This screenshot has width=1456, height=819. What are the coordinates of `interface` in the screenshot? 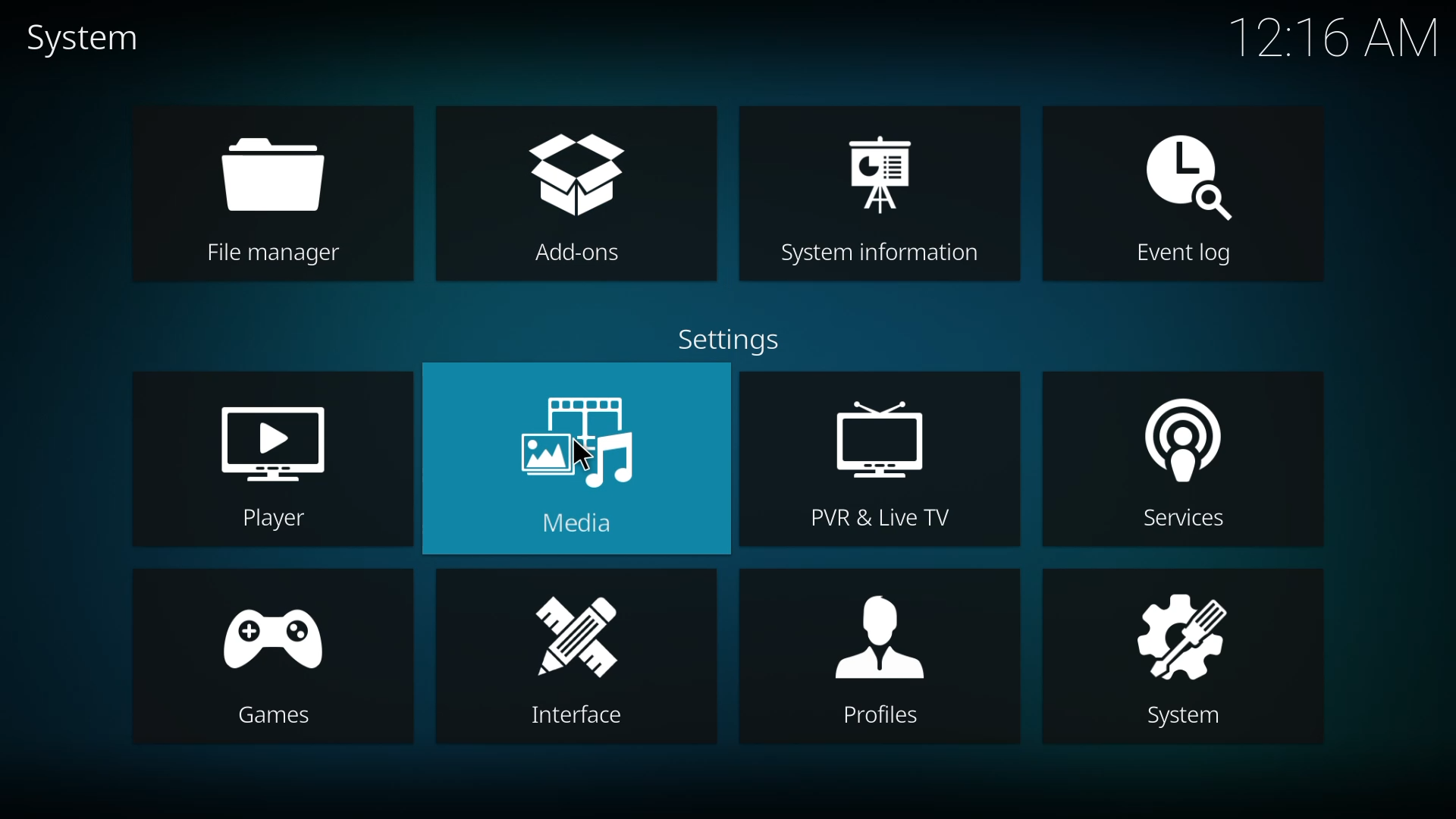 It's located at (582, 636).